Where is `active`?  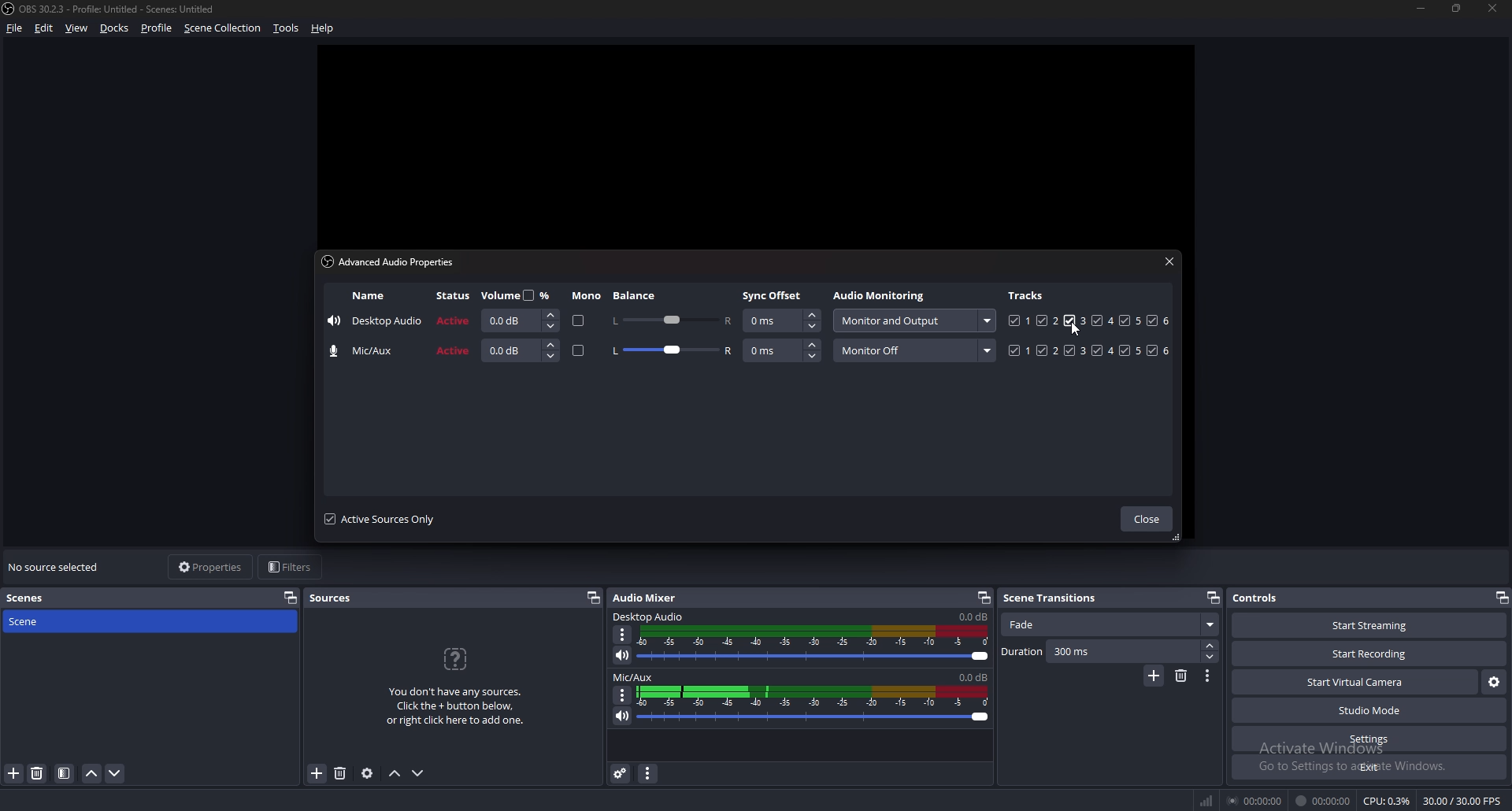 active is located at coordinates (454, 352).